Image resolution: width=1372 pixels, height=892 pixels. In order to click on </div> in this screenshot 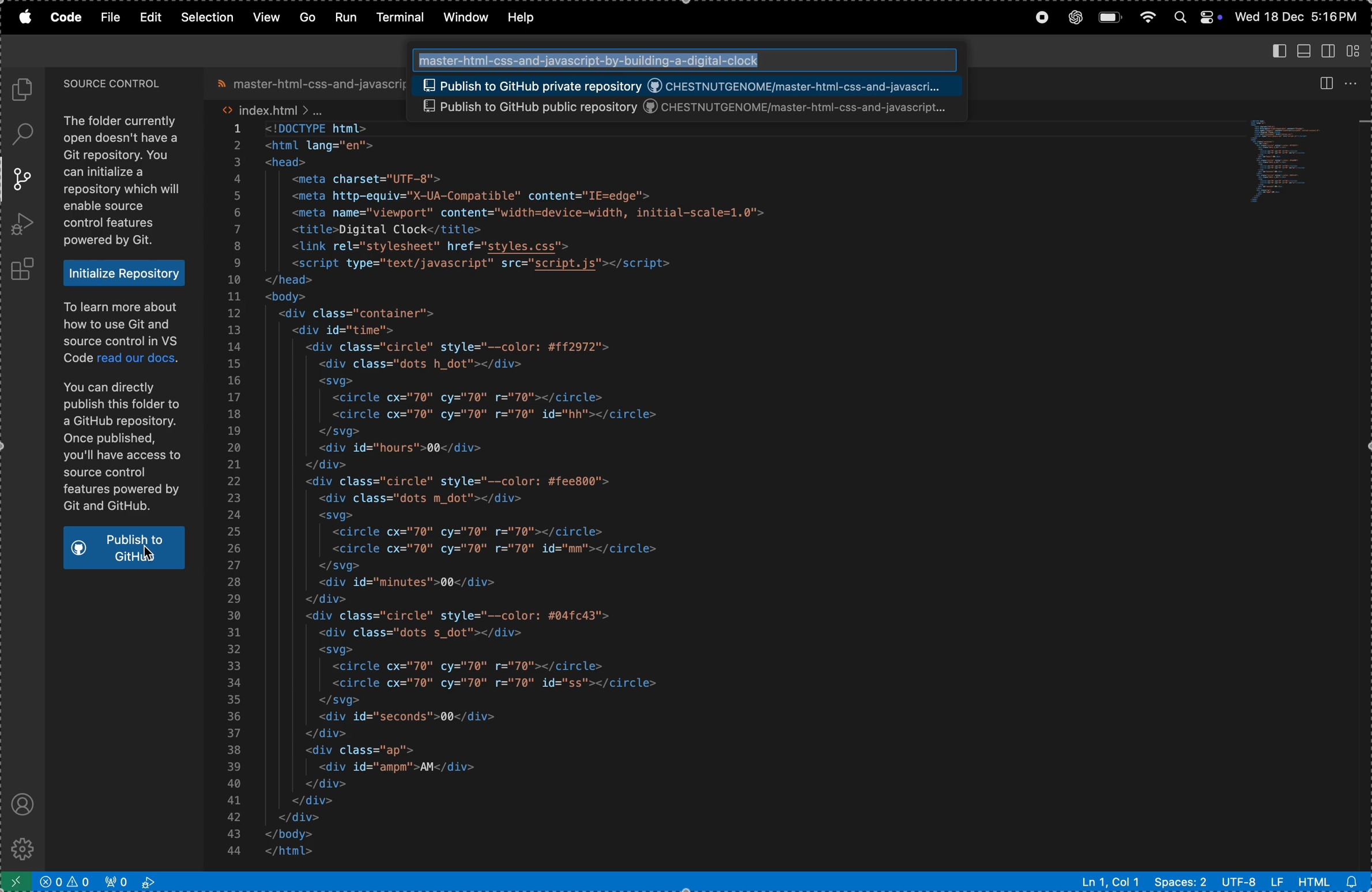, I will do `click(332, 784)`.